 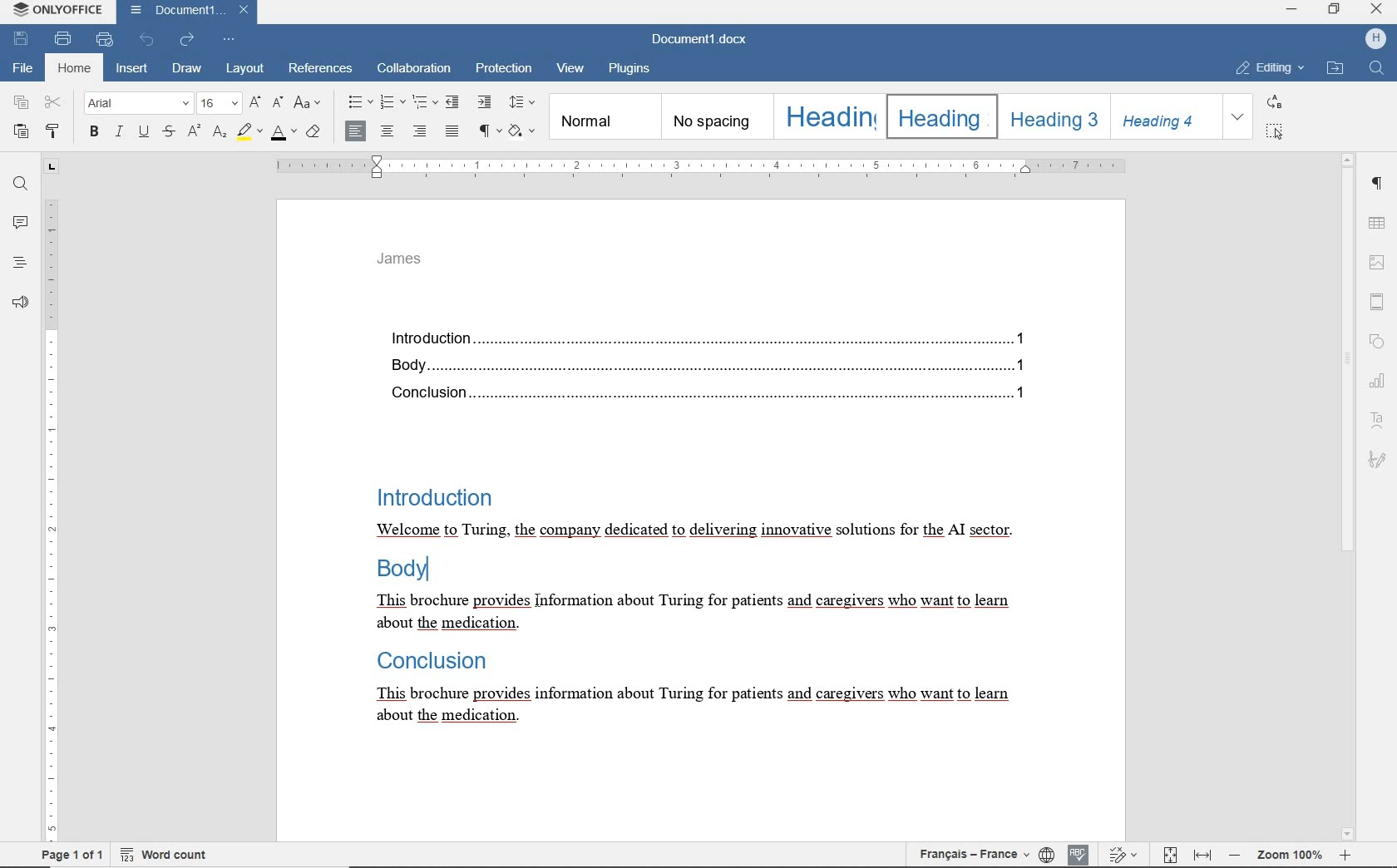 I want to click on NO SPACING, so click(x=714, y=116).